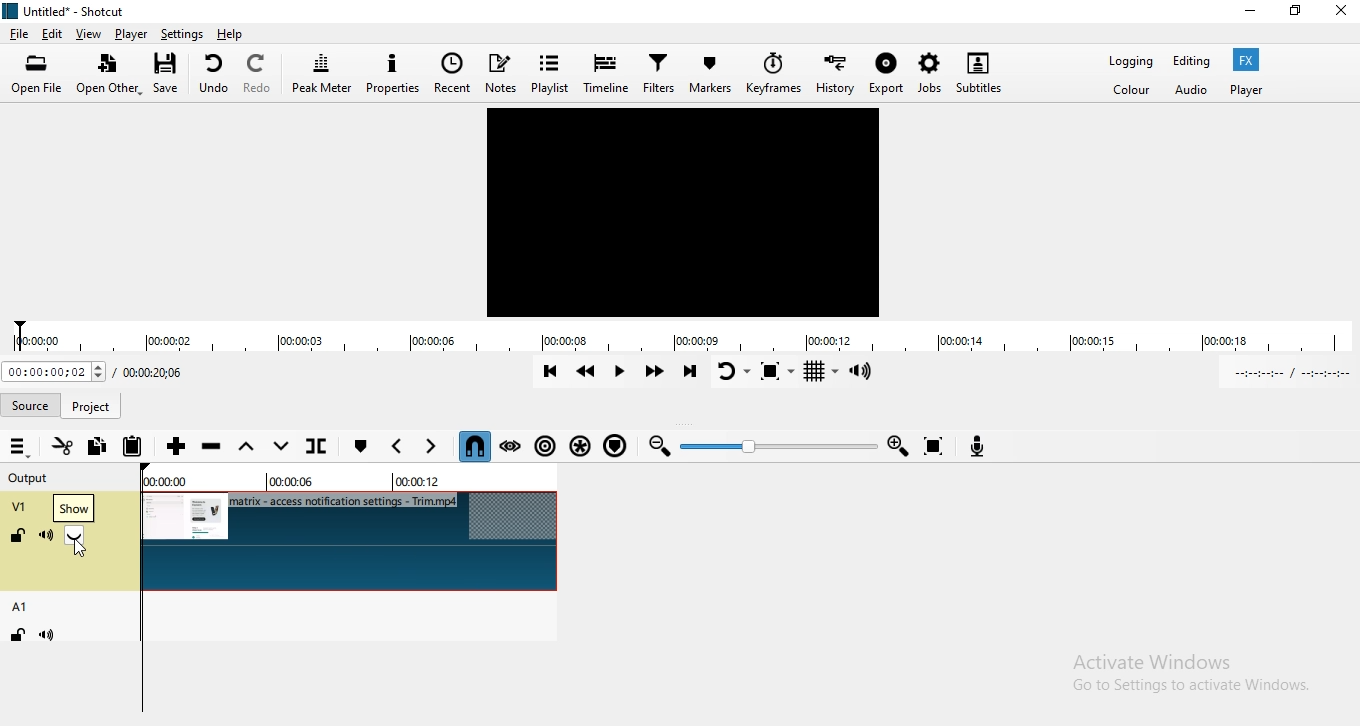 The width and height of the screenshot is (1360, 726). What do you see at coordinates (35, 406) in the screenshot?
I see `Source ` at bounding box center [35, 406].